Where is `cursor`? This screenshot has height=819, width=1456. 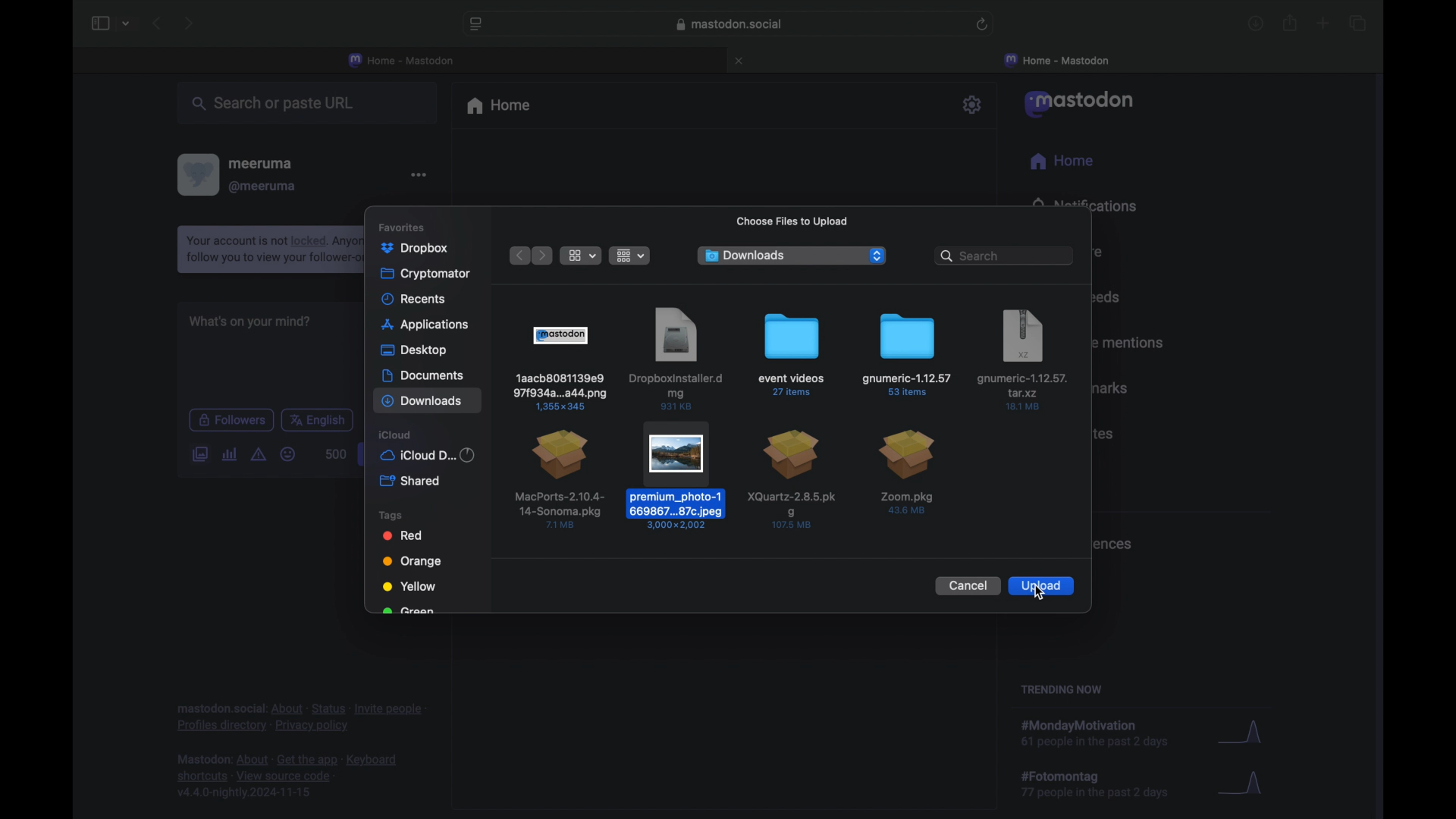
cursor is located at coordinates (1037, 595).